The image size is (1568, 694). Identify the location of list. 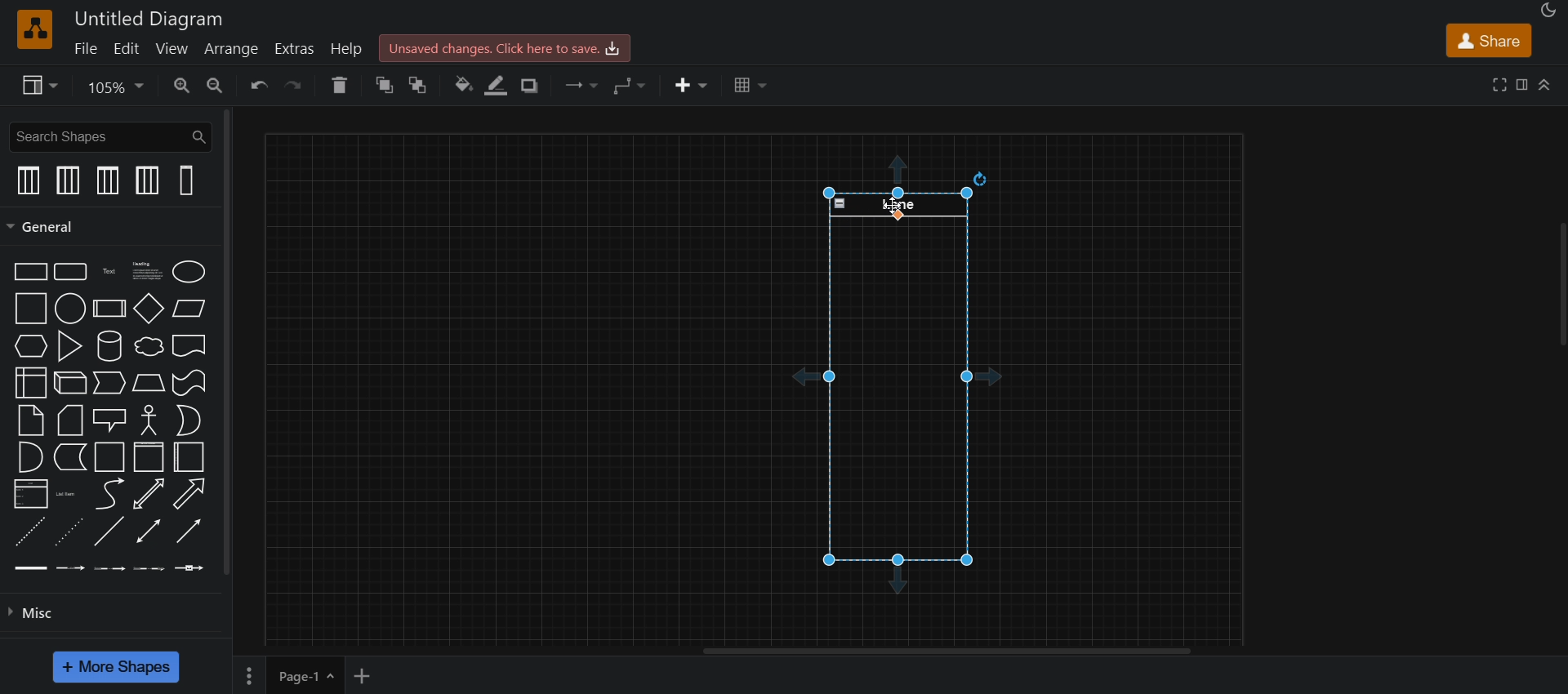
(28, 494).